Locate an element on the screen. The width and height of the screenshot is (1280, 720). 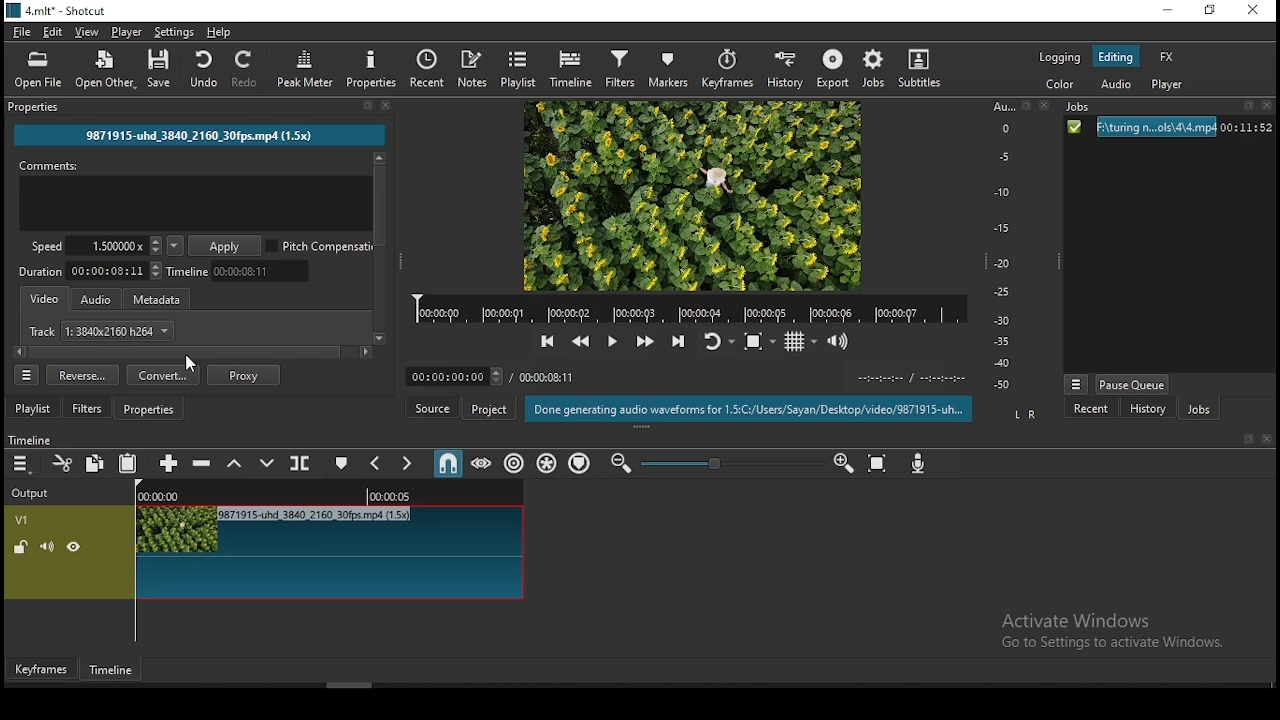
fx is located at coordinates (1167, 58).